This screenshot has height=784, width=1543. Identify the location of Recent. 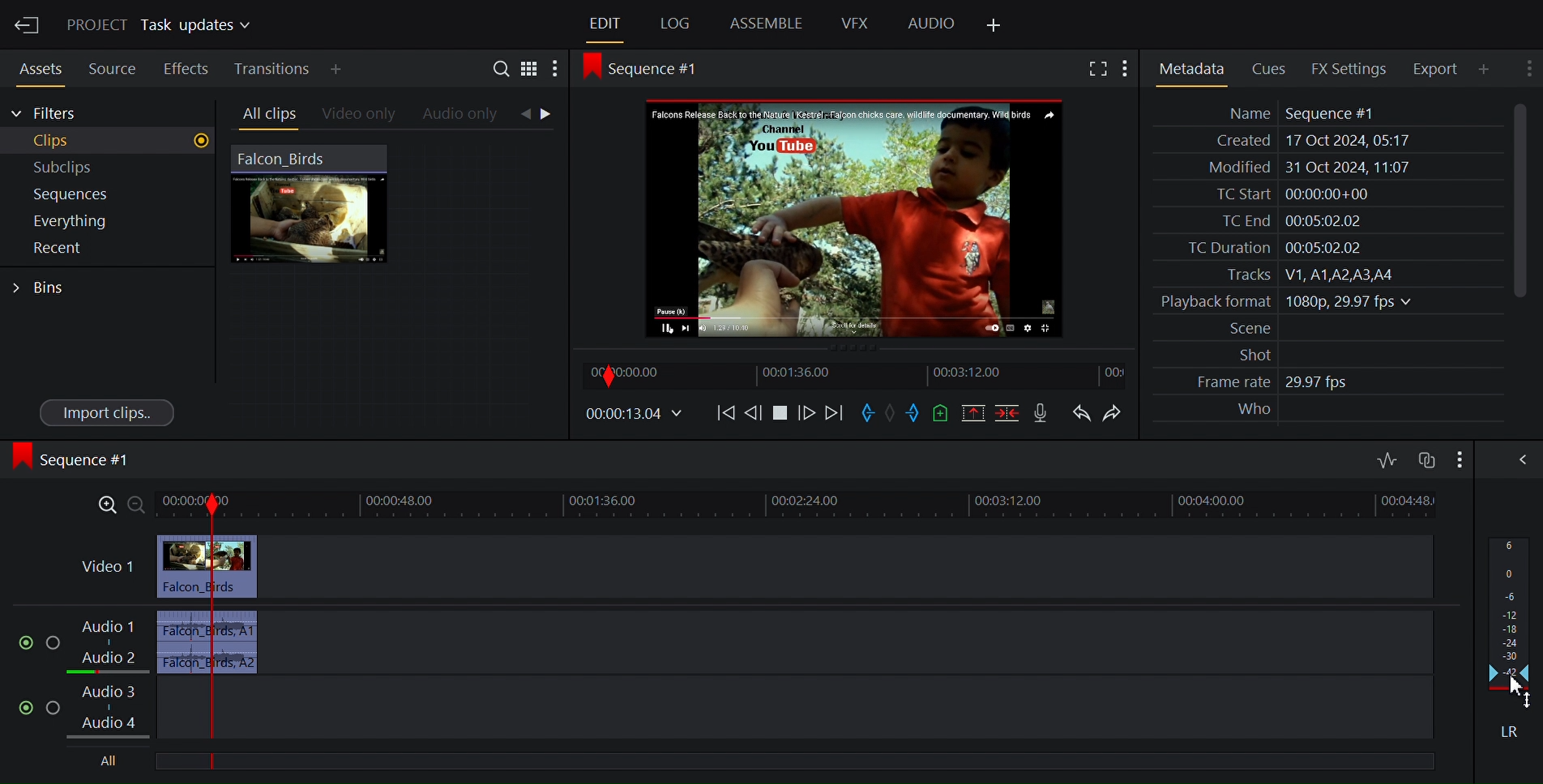
(97, 249).